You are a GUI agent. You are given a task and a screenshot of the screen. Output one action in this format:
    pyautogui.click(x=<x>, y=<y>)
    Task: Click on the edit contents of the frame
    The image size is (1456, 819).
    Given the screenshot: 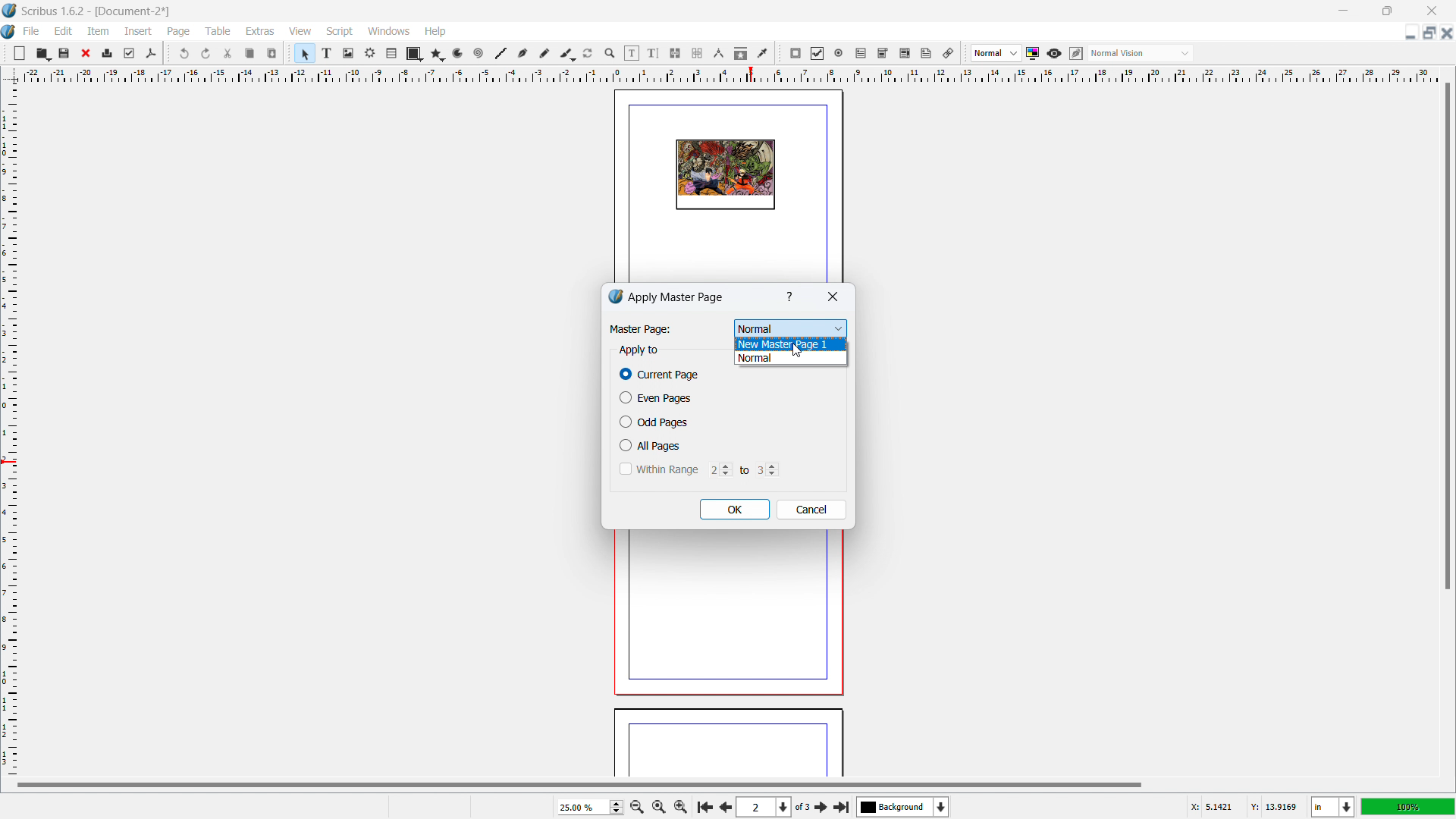 What is the action you would take?
    pyautogui.click(x=632, y=54)
    